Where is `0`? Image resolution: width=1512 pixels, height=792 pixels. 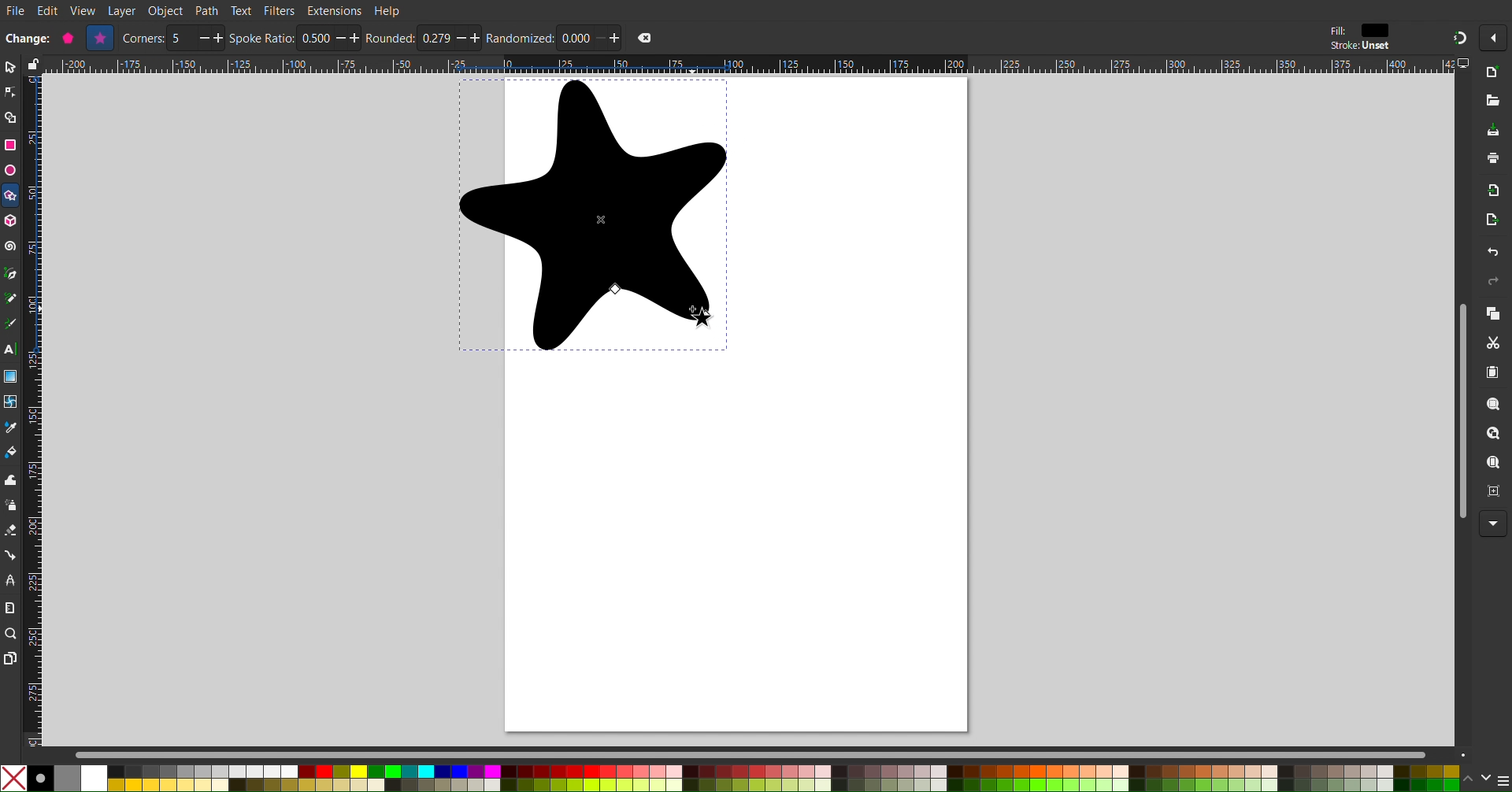 0 is located at coordinates (576, 38).